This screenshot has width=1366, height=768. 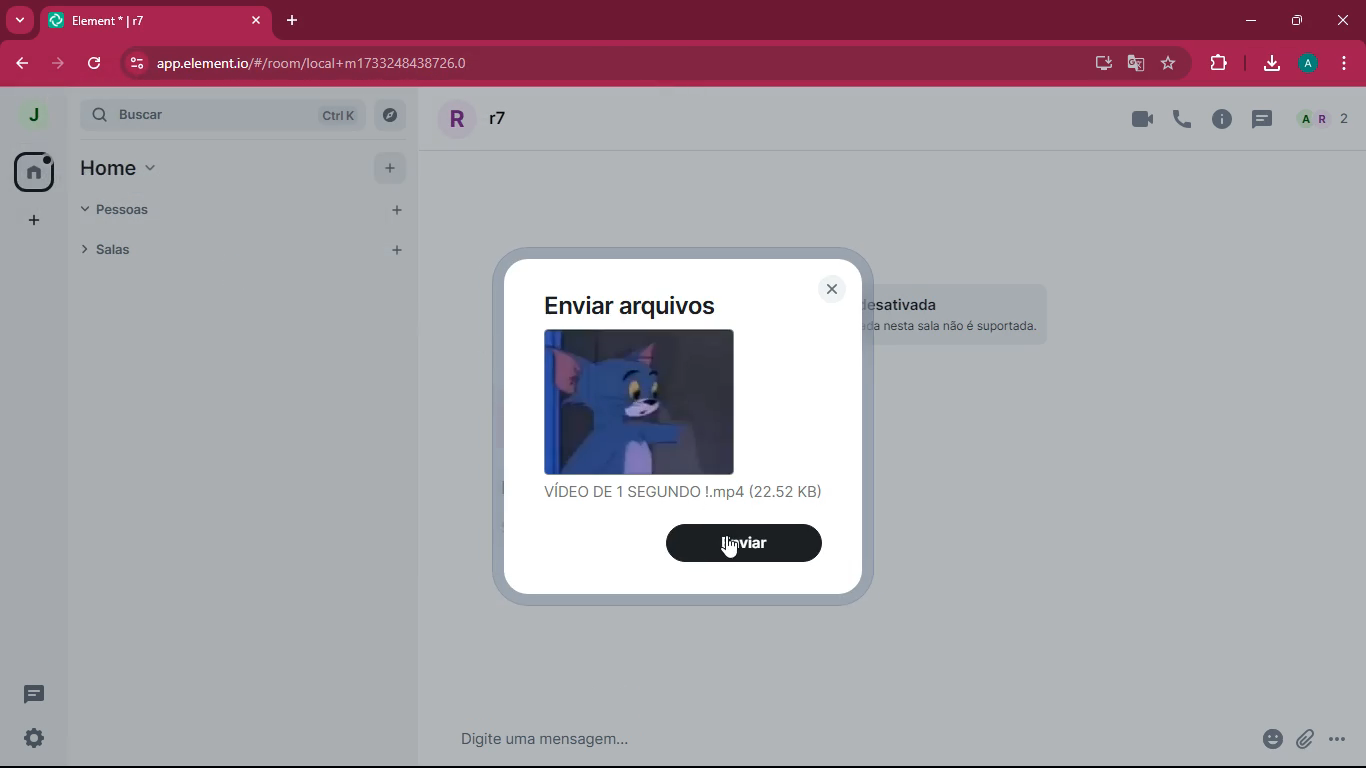 I want to click on home, so click(x=33, y=170).